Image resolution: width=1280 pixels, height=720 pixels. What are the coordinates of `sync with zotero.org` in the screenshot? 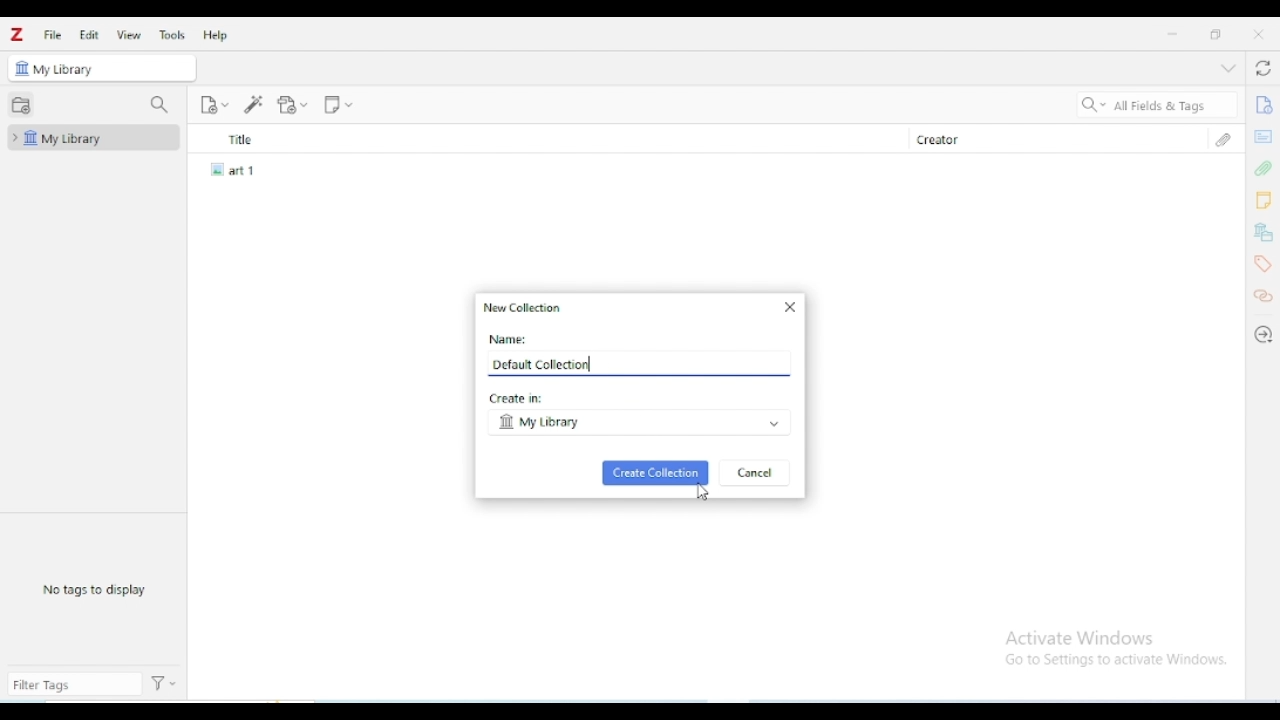 It's located at (1263, 69).